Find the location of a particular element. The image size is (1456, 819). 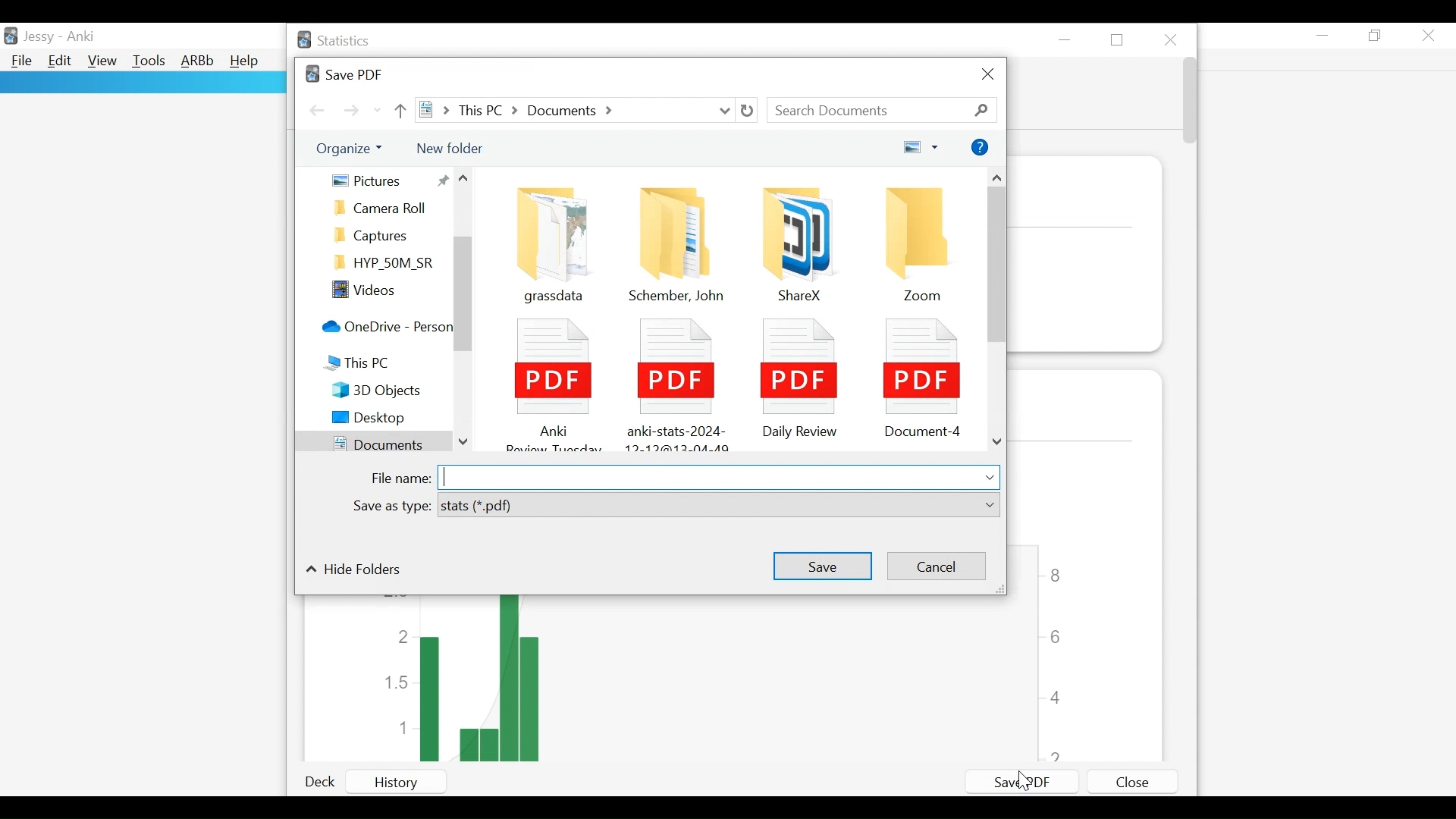

Help is located at coordinates (247, 61).